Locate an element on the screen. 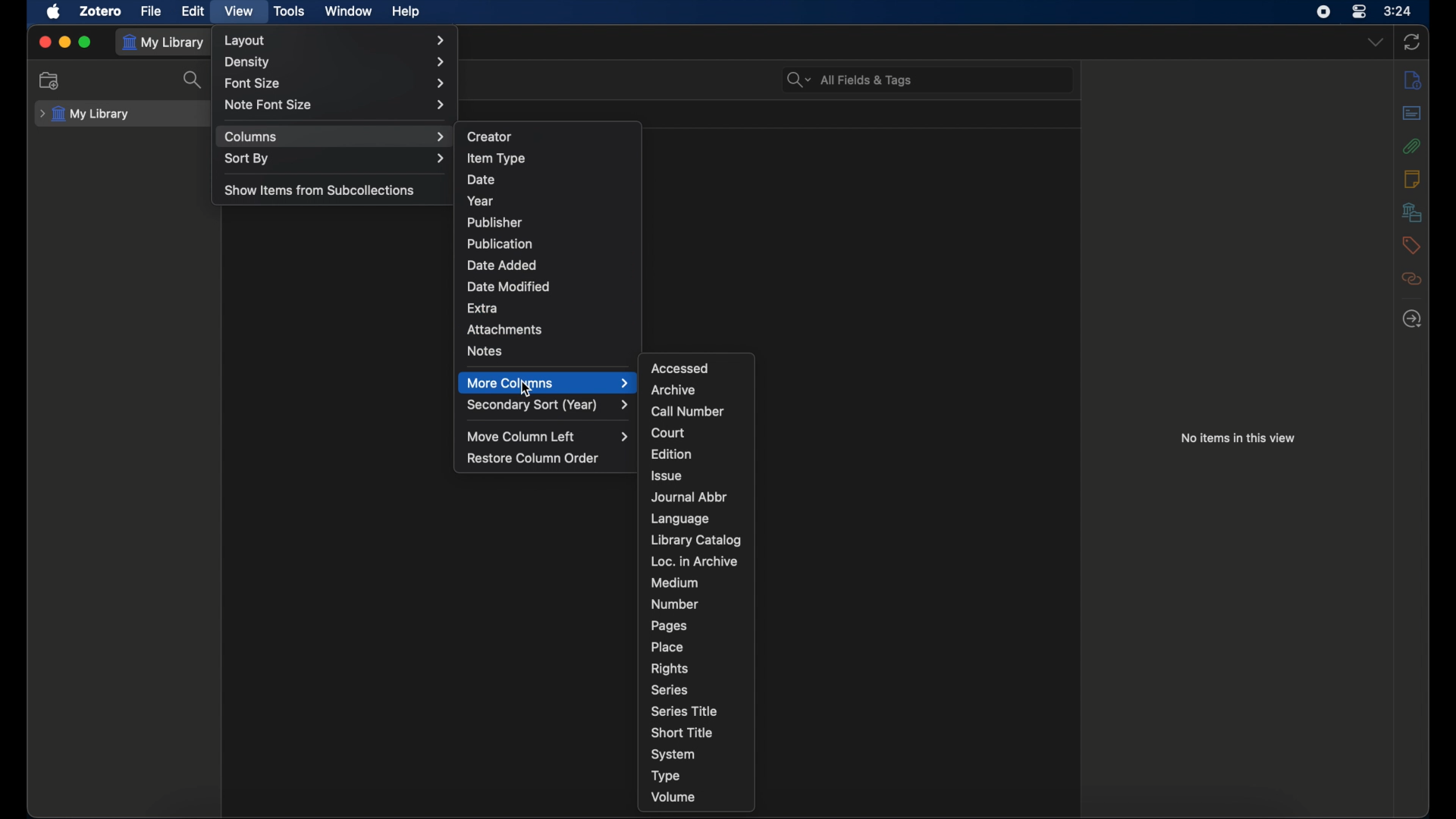 The height and width of the screenshot is (819, 1456). series is located at coordinates (669, 690).